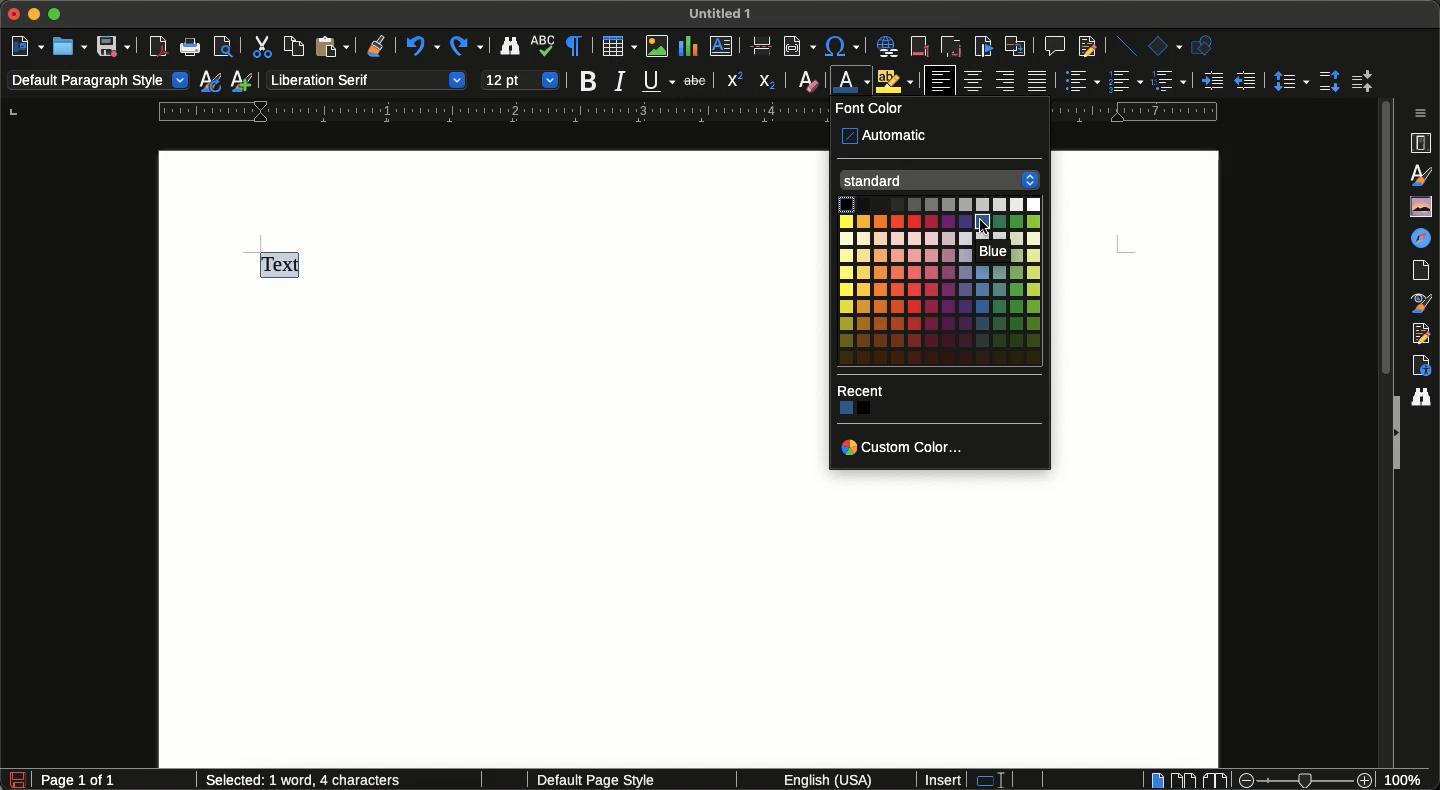  What do you see at coordinates (1384, 243) in the screenshot?
I see `Scroll` at bounding box center [1384, 243].